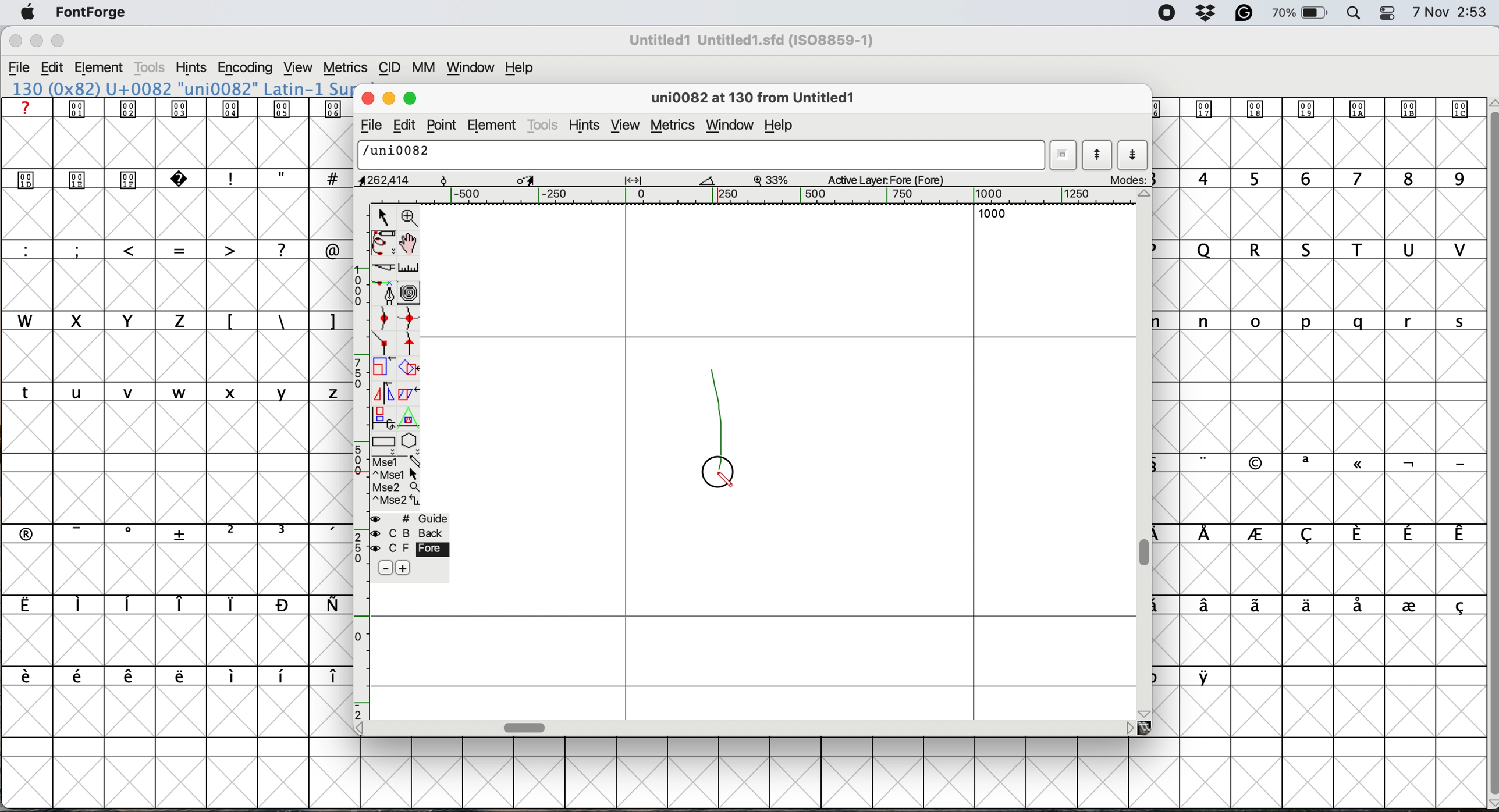 This screenshot has width=1499, height=812. Describe the element at coordinates (1208, 13) in the screenshot. I see `dropbox` at that location.